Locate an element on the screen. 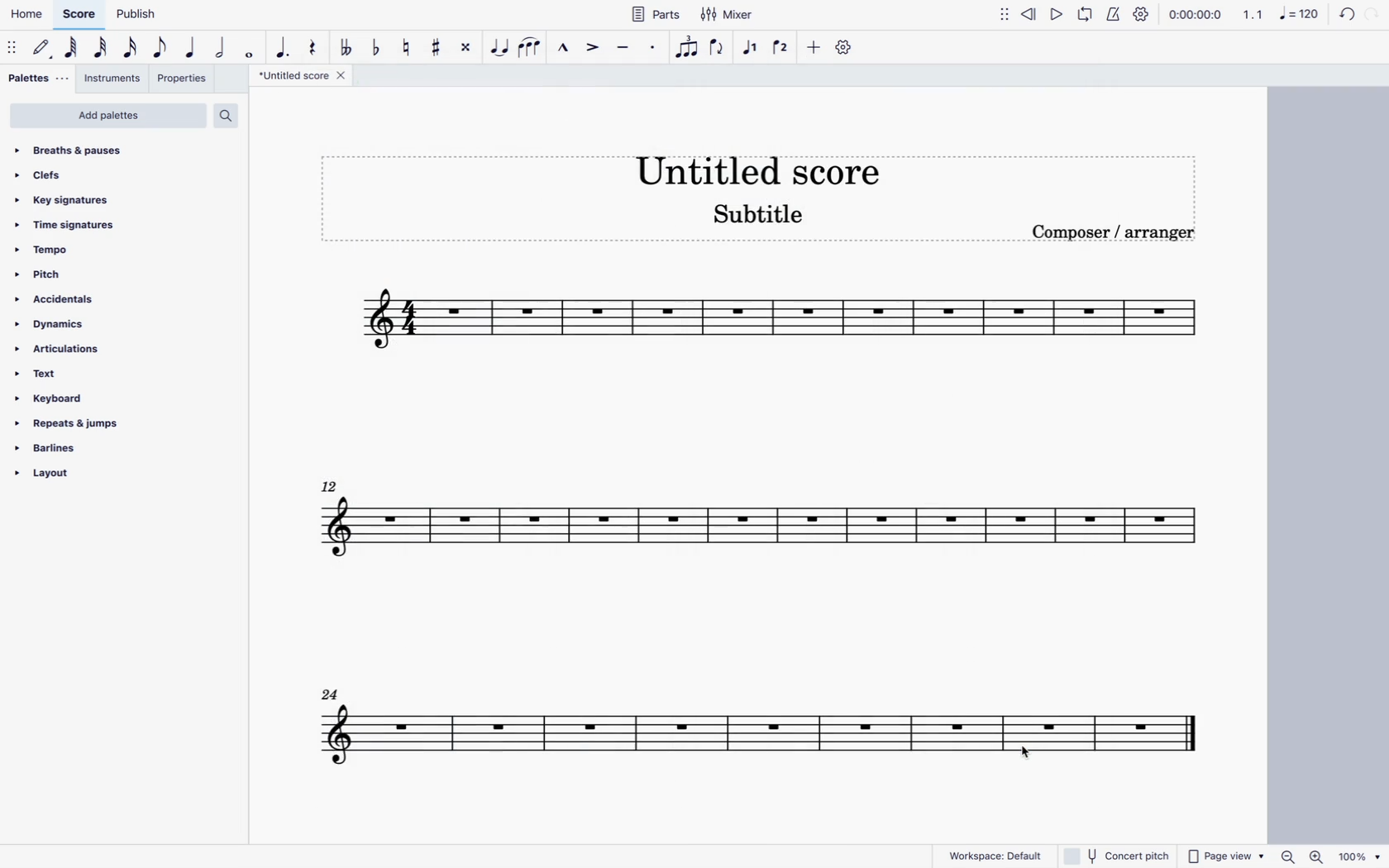 The height and width of the screenshot is (868, 1389). score is located at coordinates (775, 727).